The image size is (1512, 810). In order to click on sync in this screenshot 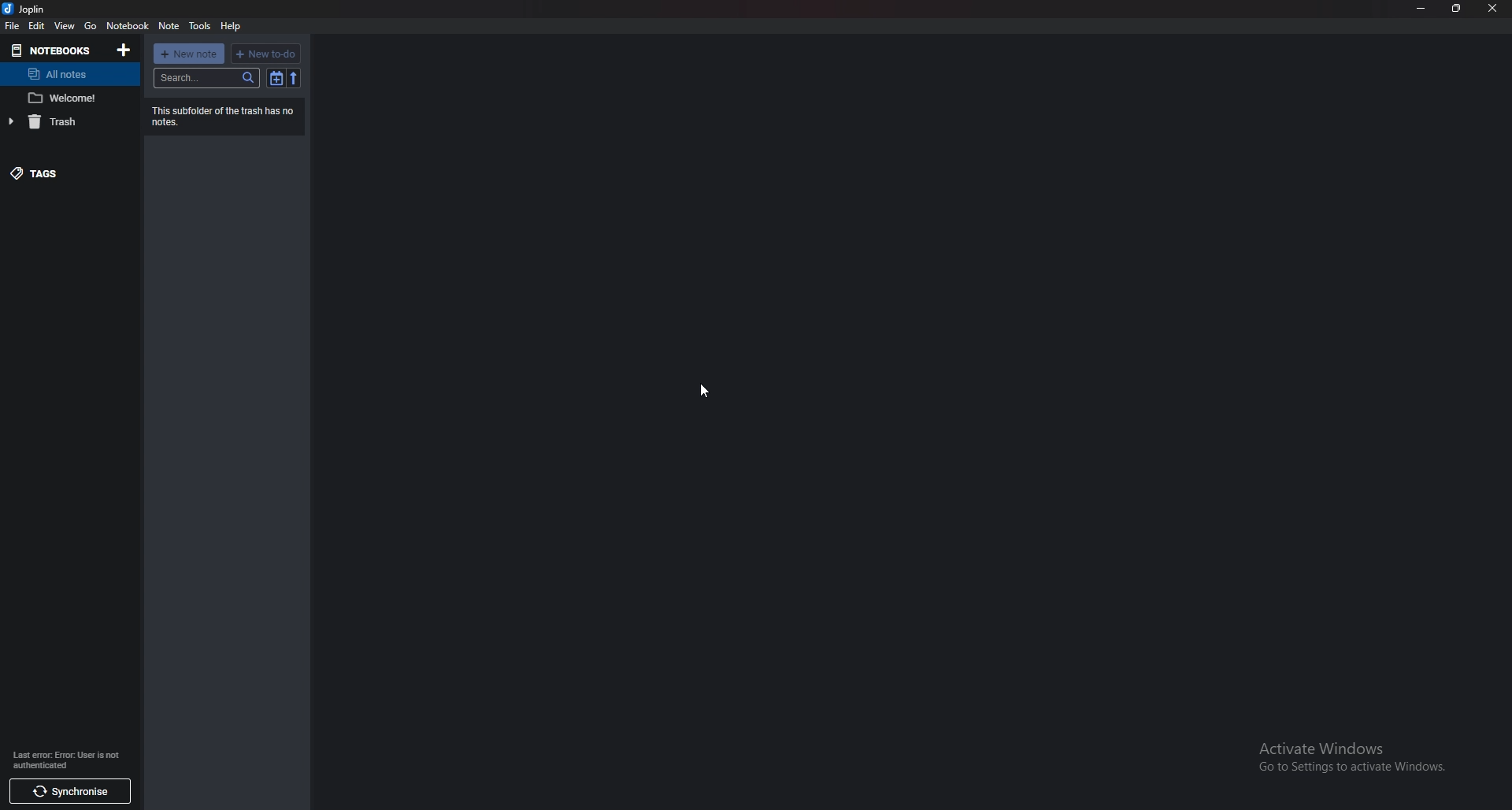, I will do `click(69, 793)`.